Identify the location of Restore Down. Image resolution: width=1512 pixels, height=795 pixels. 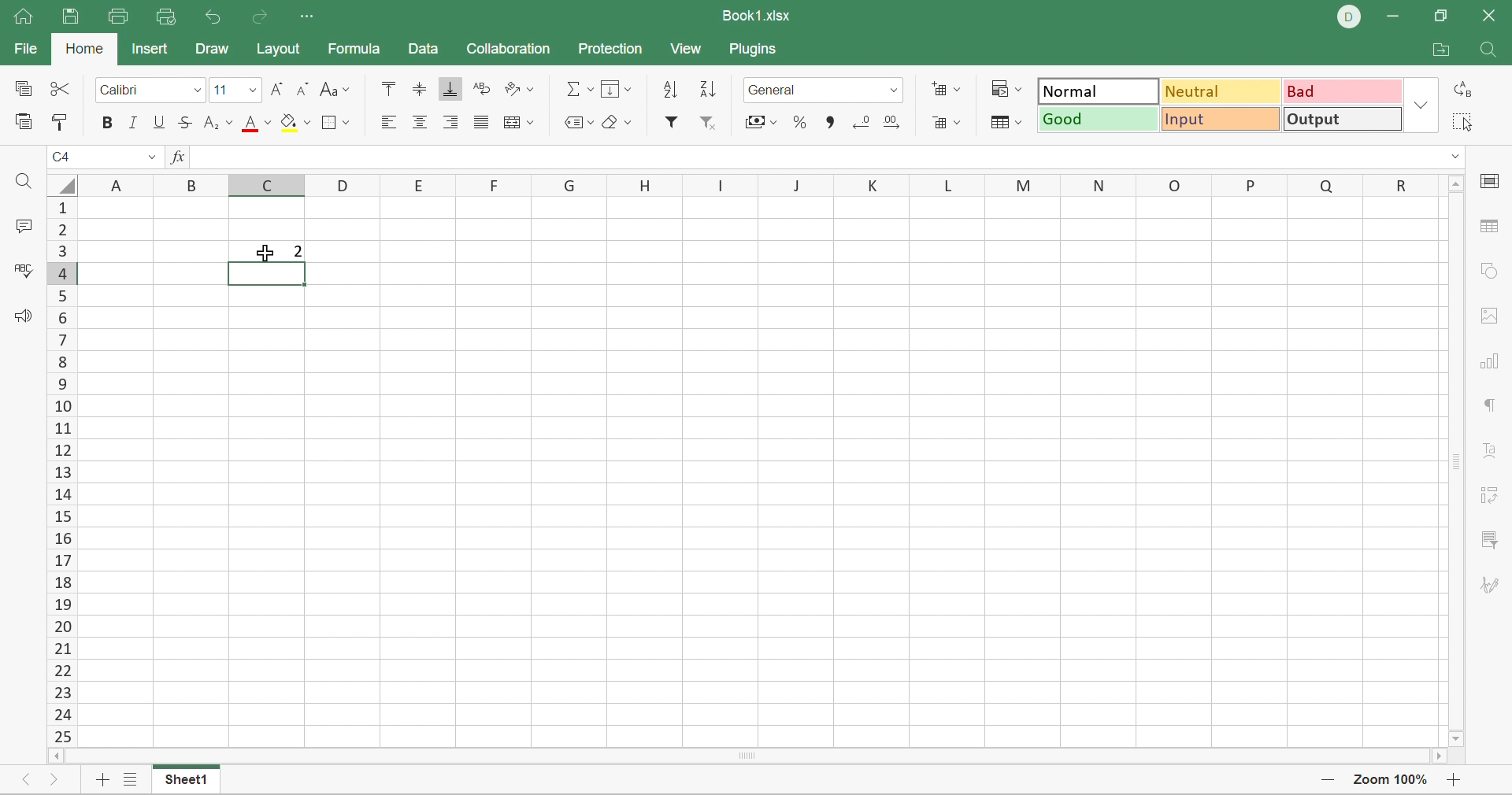
(1443, 14).